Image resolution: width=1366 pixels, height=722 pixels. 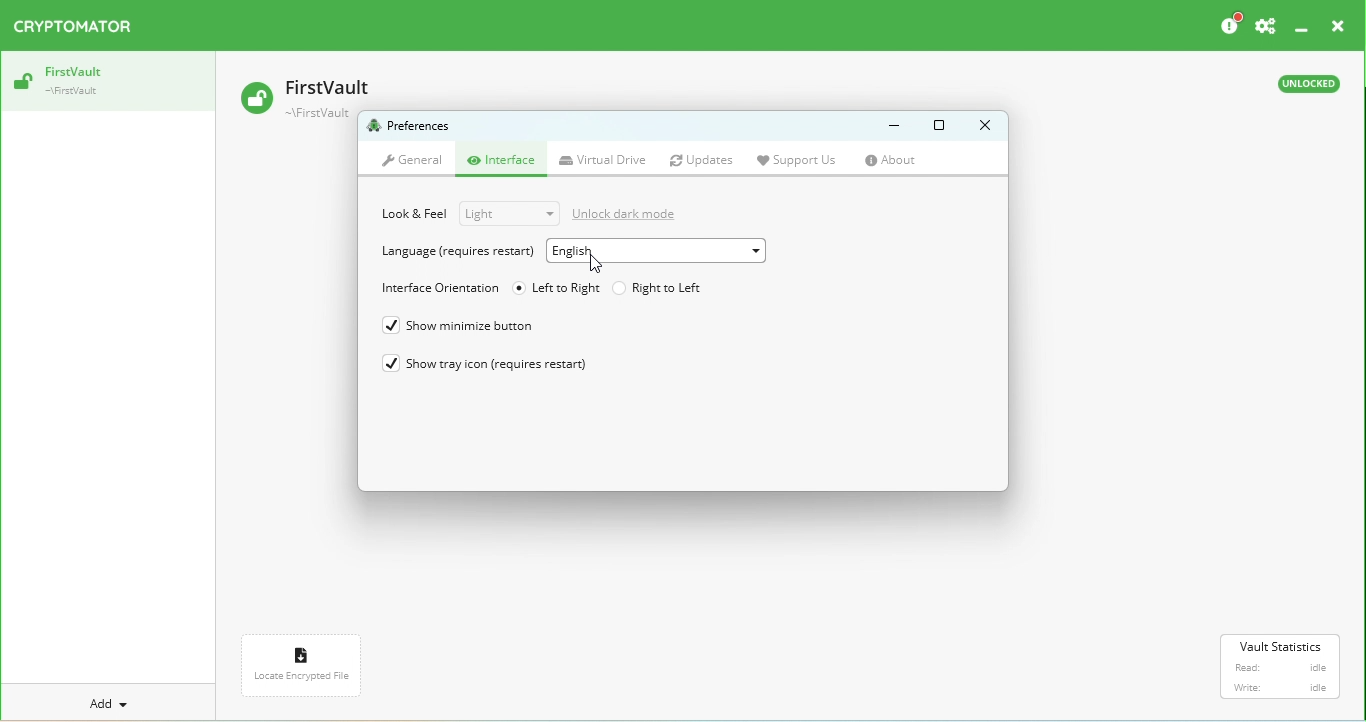 I want to click on Minimize, so click(x=886, y=126).